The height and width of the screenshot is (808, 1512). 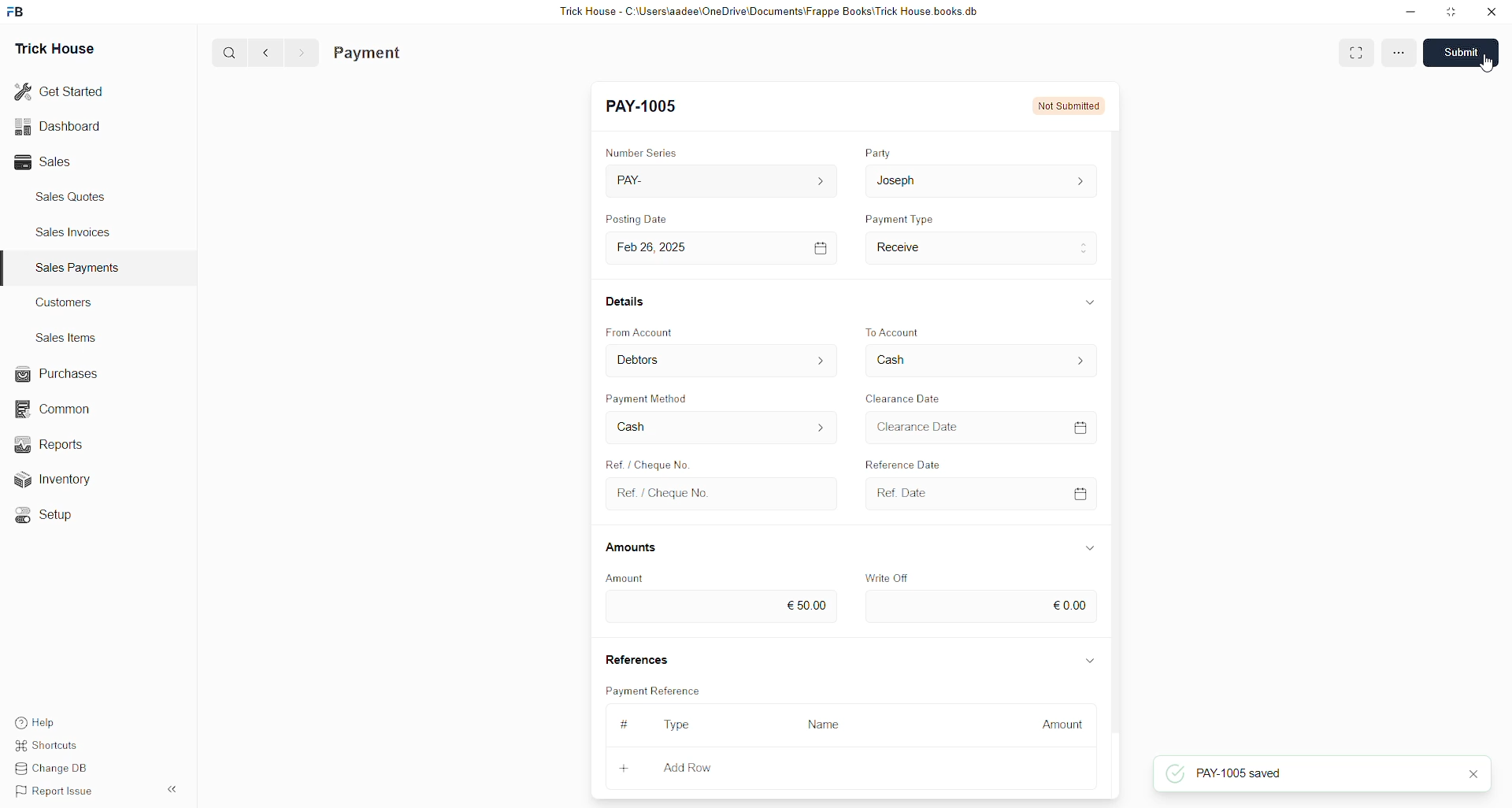 I want to click on Ref. / Cheque No., so click(x=646, y=462).